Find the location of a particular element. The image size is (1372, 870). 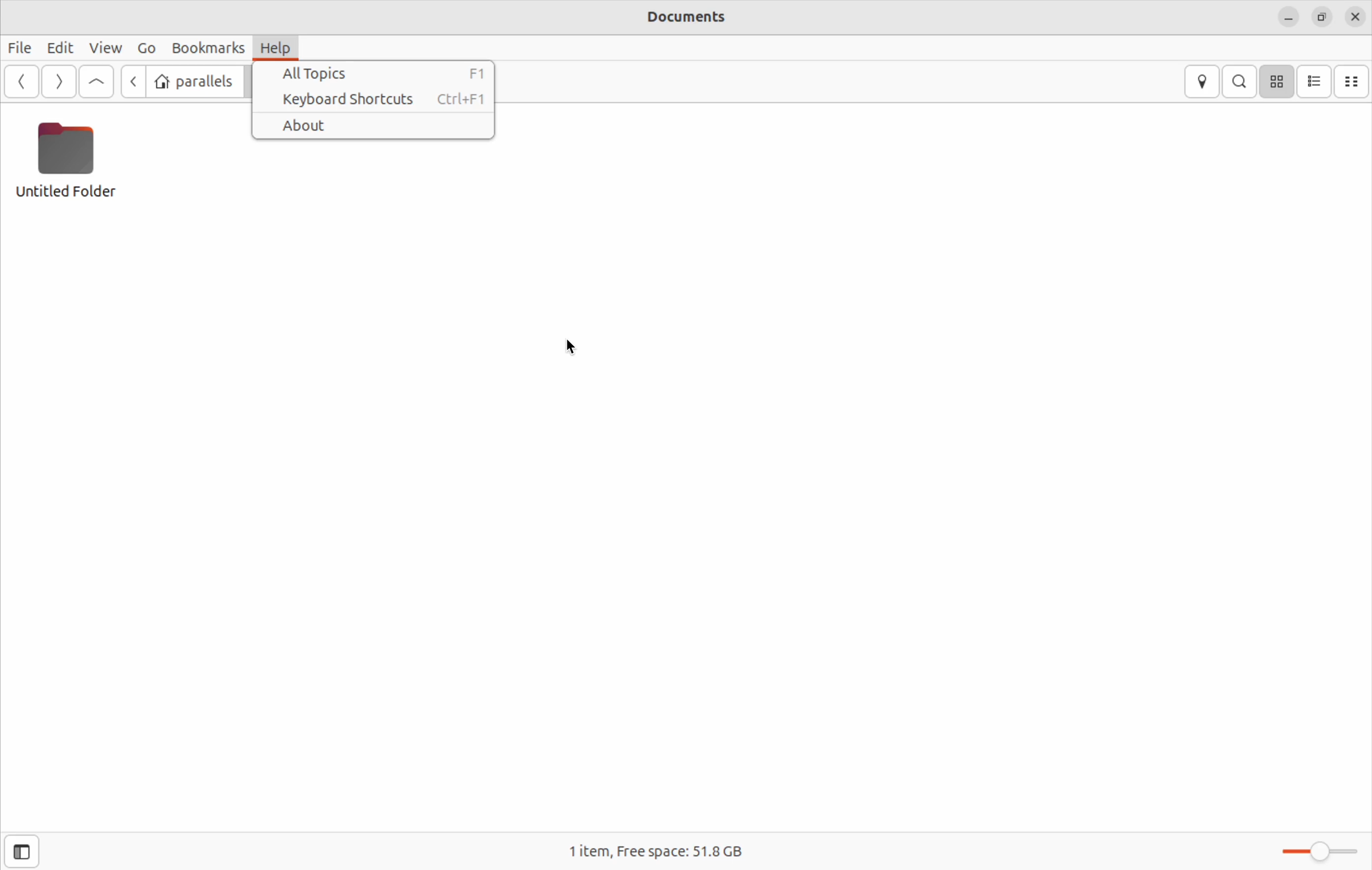

open sidebar is located at coordinates (21, 851).